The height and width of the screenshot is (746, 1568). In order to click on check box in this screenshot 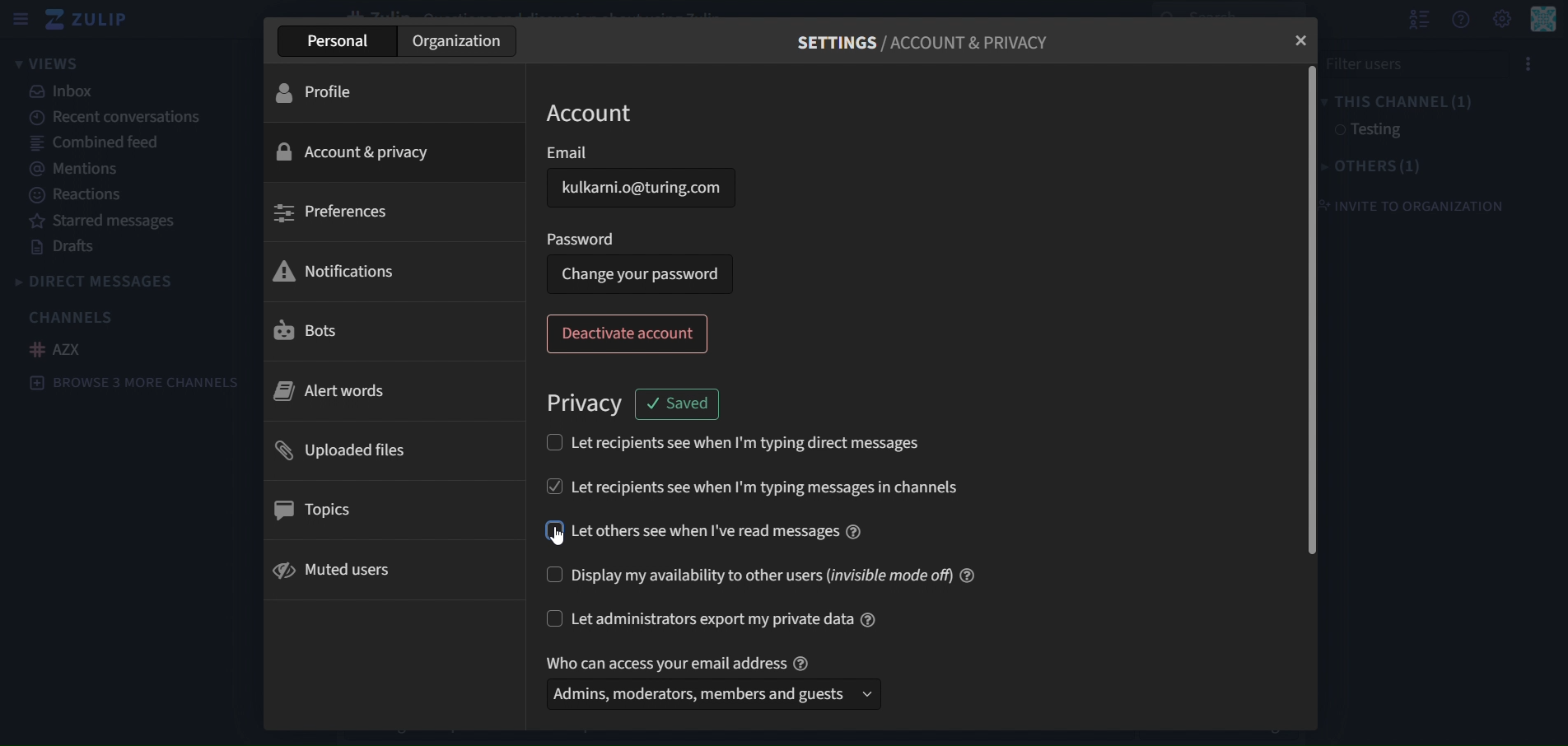, I will do `click(550, 483)`.